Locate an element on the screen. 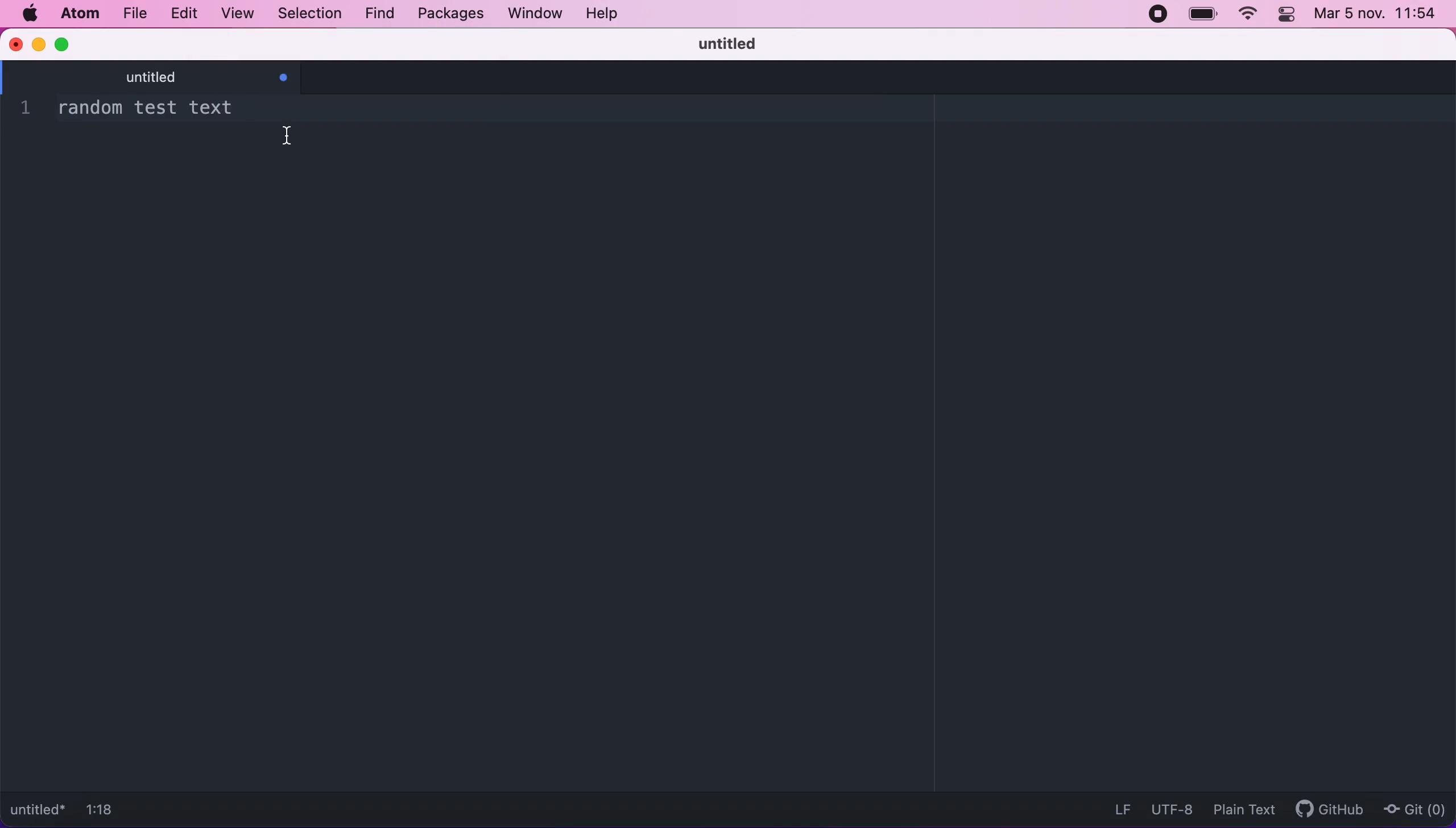 The image size is (1456, 828). selection is located at coordinates (308, 13).